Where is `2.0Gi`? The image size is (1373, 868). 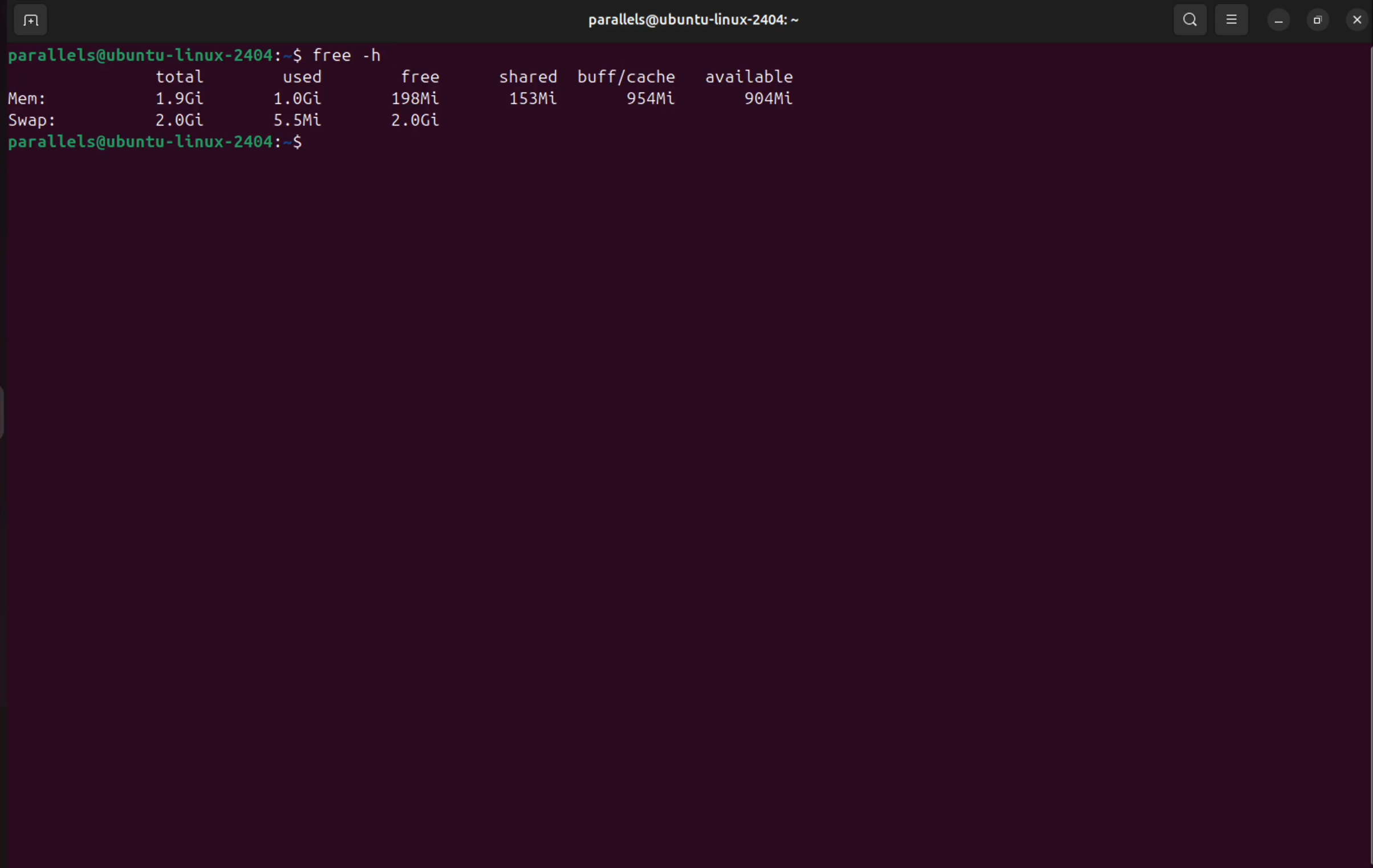 2.0Gi is located at coordinates (178, 121).